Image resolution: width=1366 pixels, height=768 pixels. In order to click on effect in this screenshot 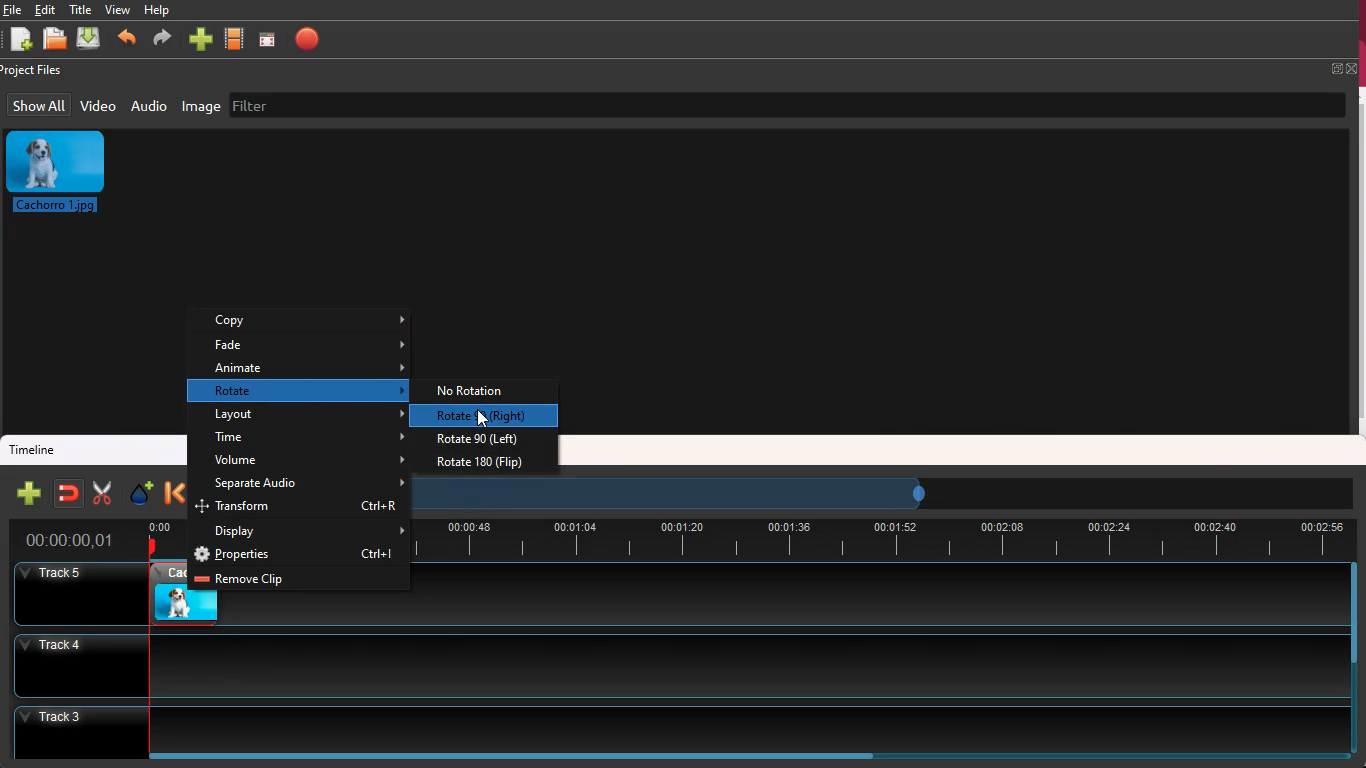, I will do `click(140, 492)`.